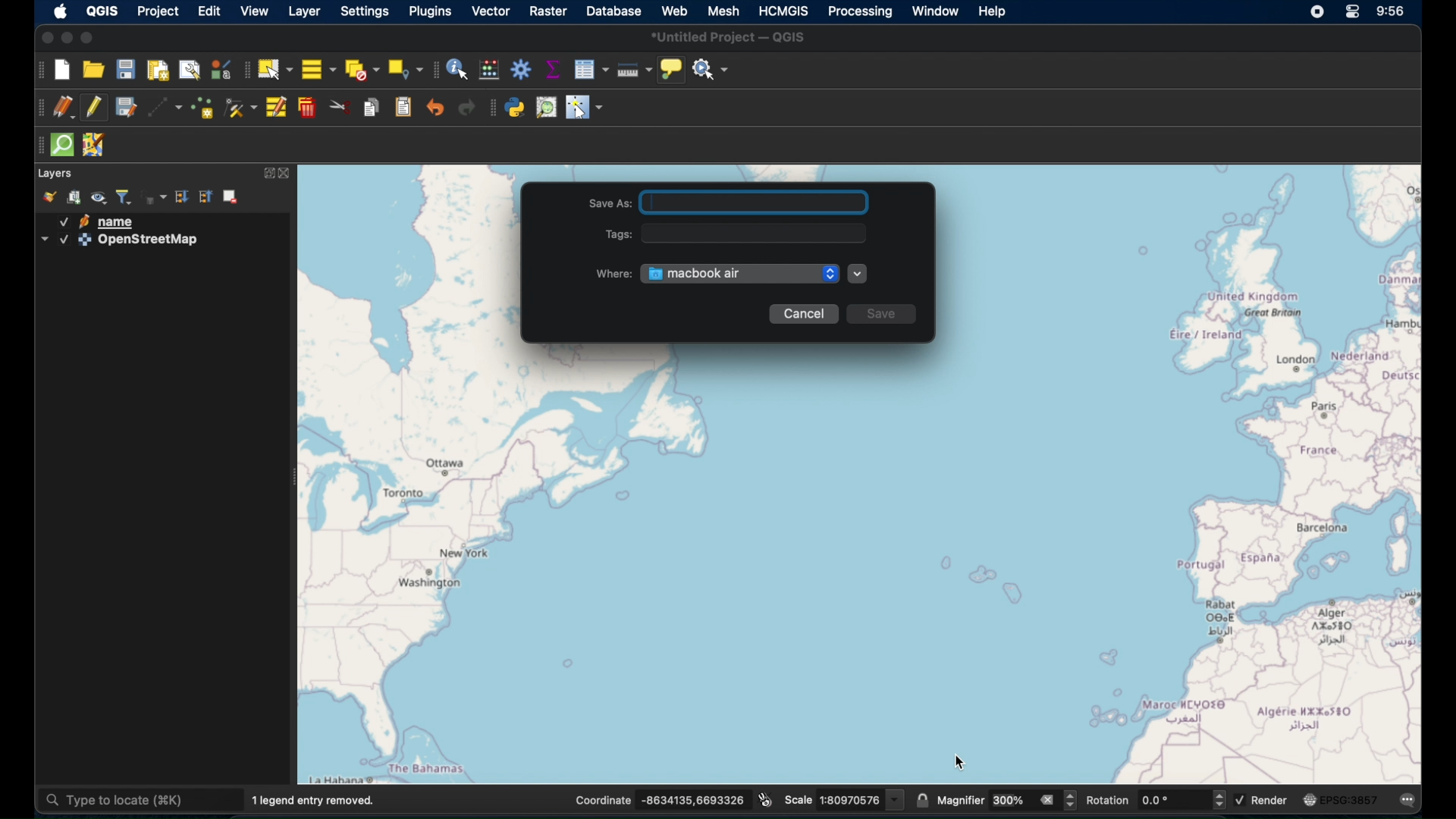 Image resolution: width=1456 pixels, height=819 pixels. I want to click on modify attributes , so click(275, 108).